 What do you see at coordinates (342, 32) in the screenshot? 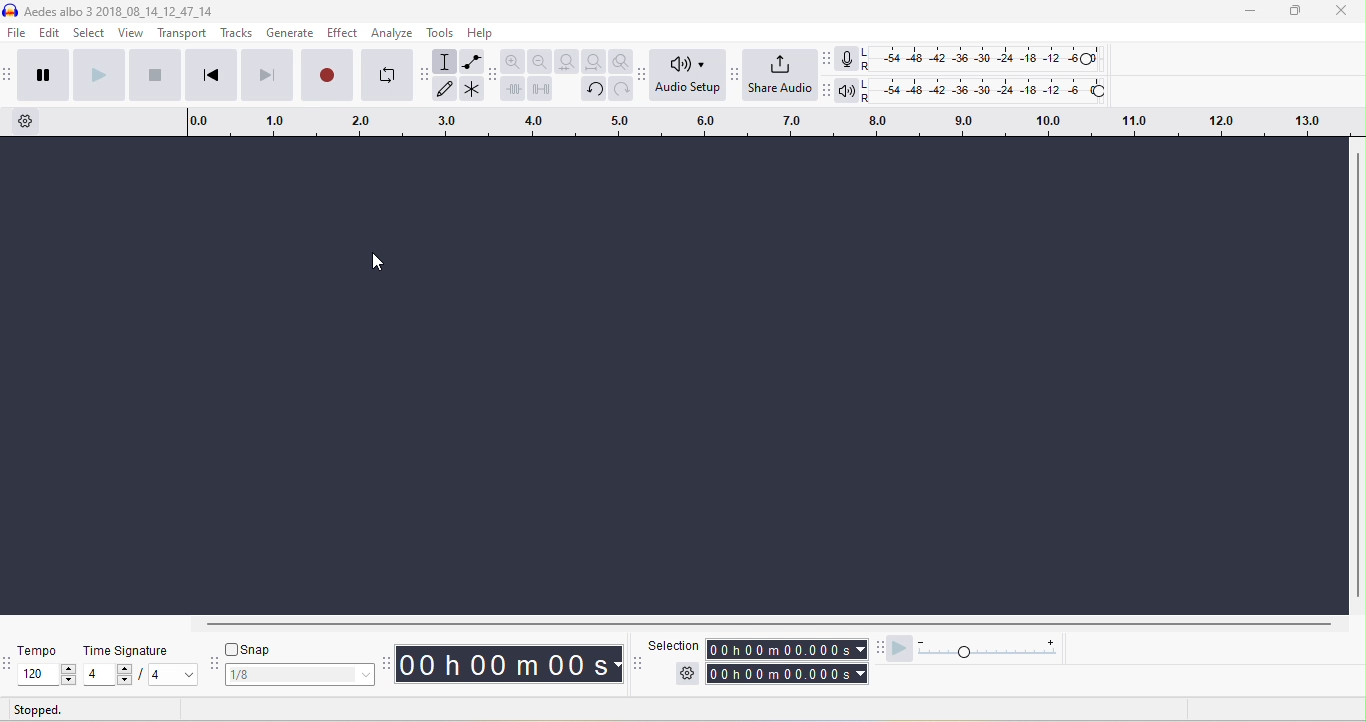
I see `effect` at bounding box center [342, 32].